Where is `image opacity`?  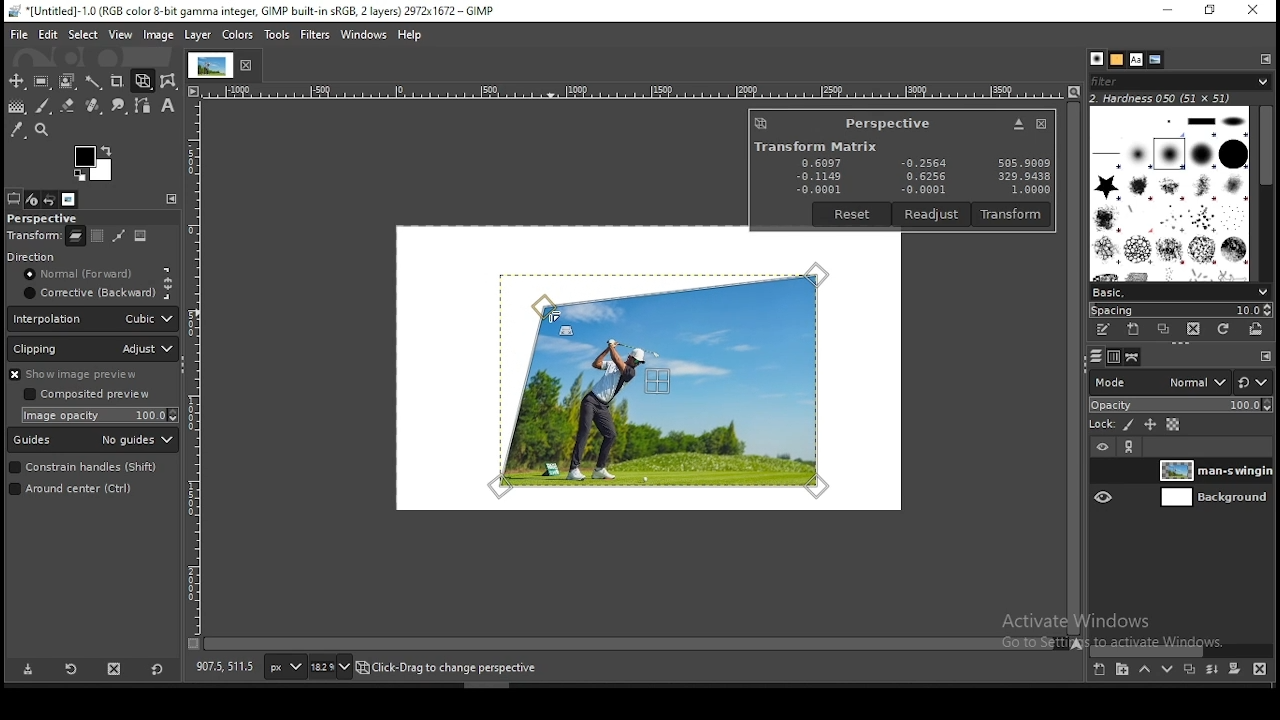 image opacity is located at coordinates (103, 415).